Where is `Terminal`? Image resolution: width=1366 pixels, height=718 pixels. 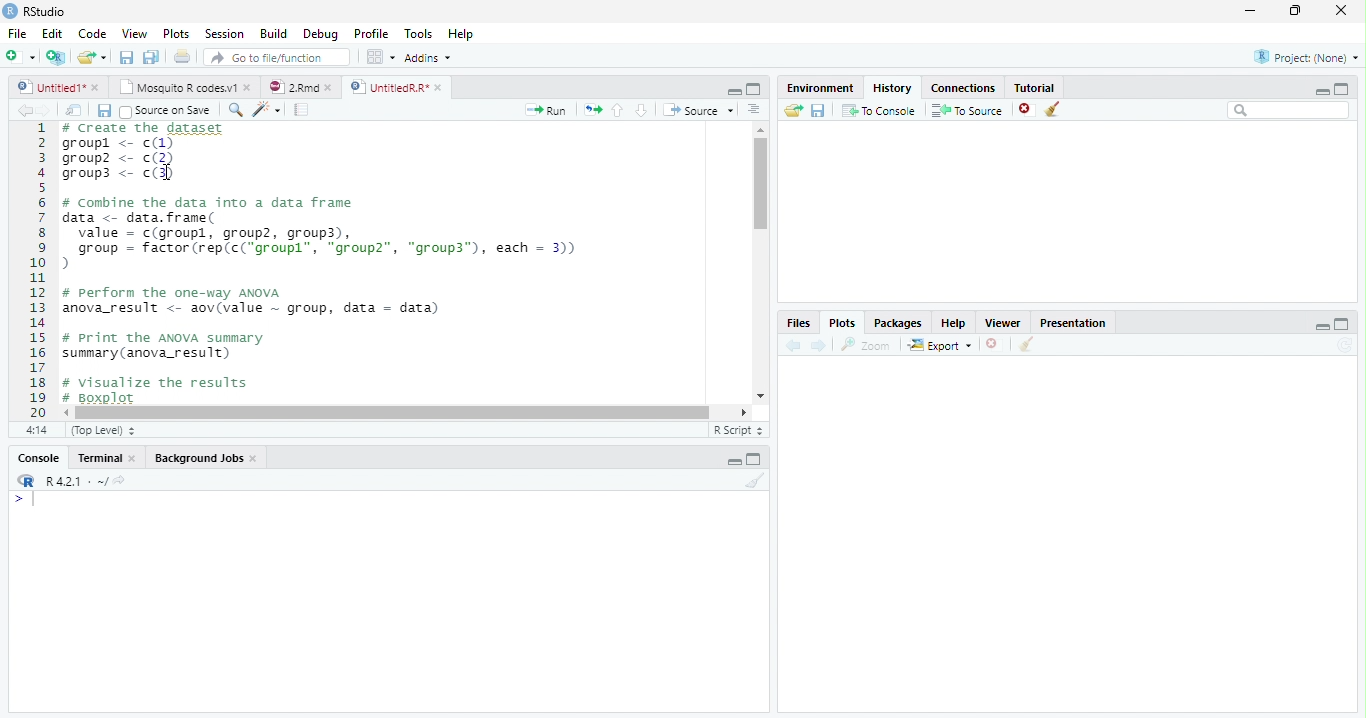
Terminal is located at coordinates (108, 458).